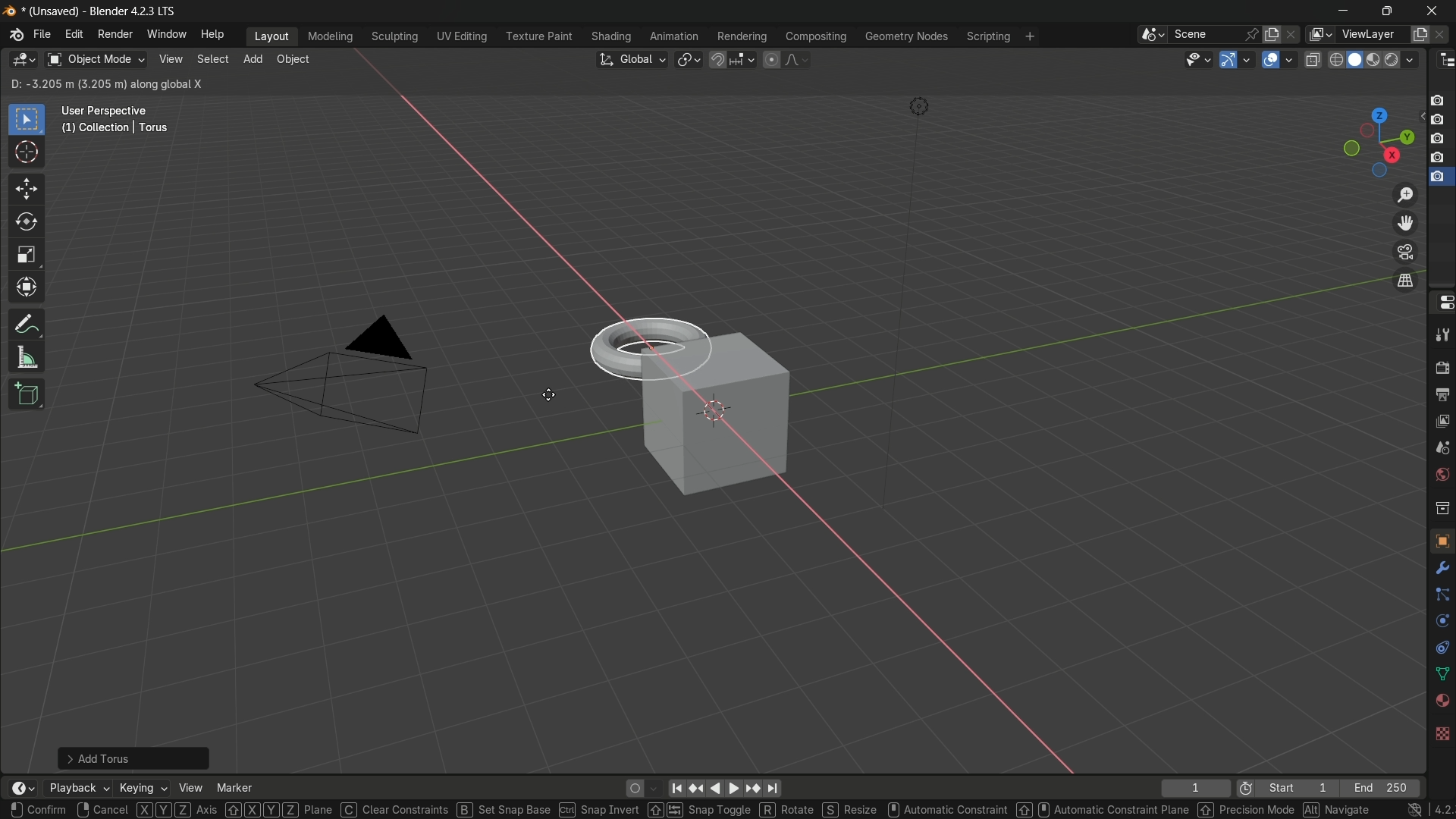  What do you see at coordinates (599, 810) in the screenshot?
I see `Snap Invert` at bounding box center [599, 810].